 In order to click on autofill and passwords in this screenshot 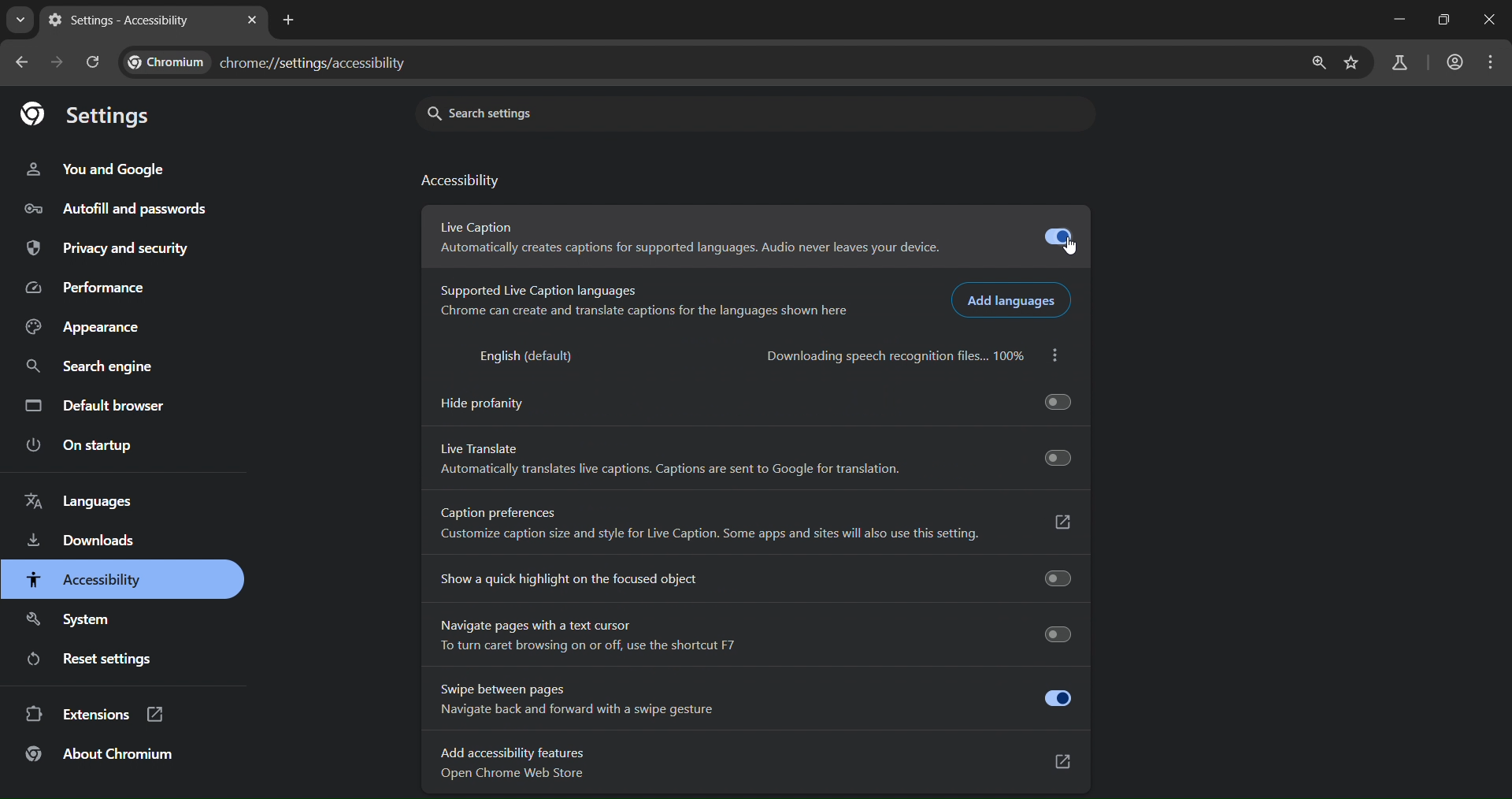, I will do `click(117, 211)`.